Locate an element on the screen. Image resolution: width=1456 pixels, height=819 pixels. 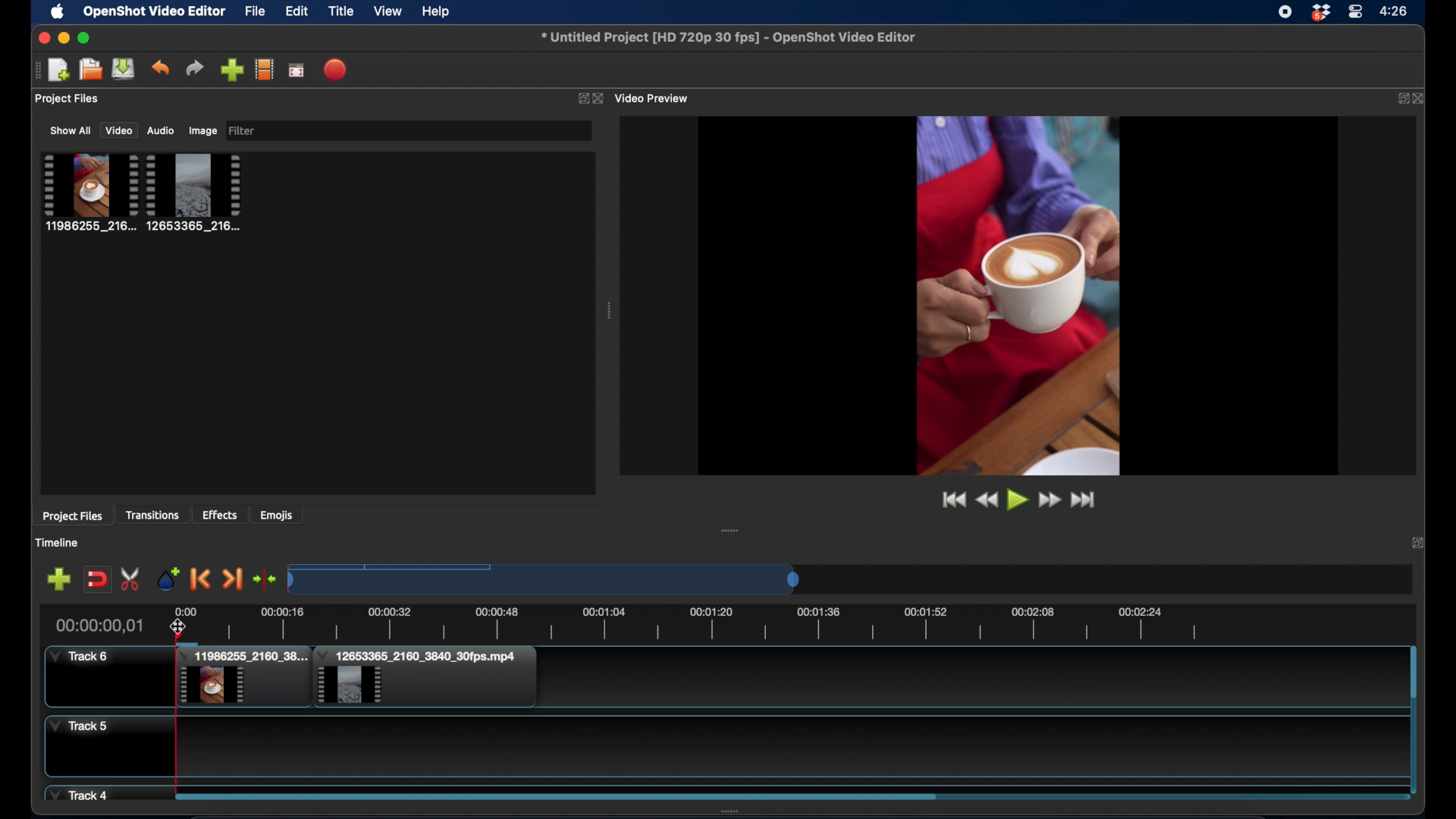
scroll bar is located at coordinates (555, 795).